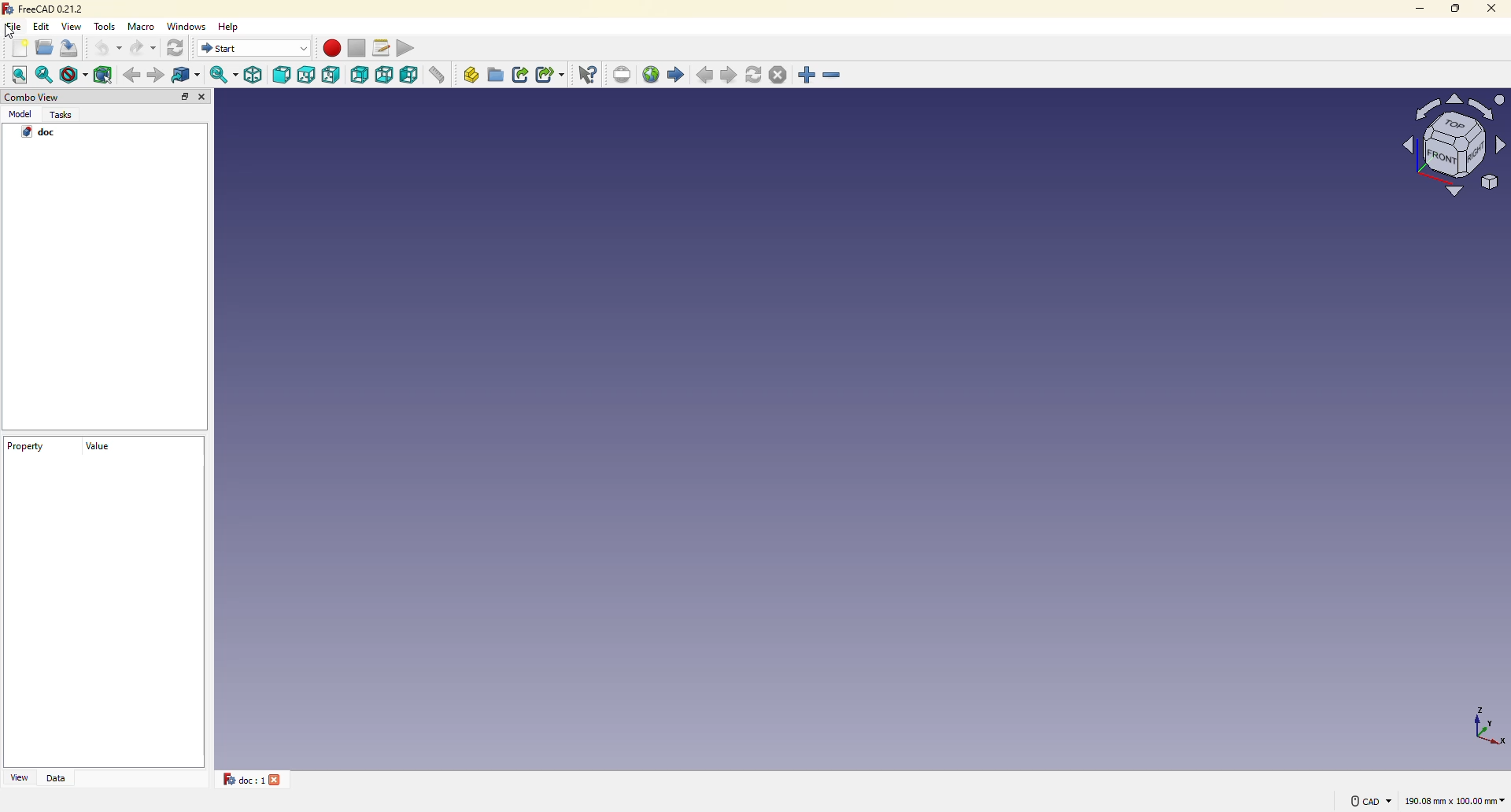 Image resolution: width=1511 pixels, height=812 pixels. Describe the element at coordinates (108, 49) in the screenshot. I see `undo` at that location.